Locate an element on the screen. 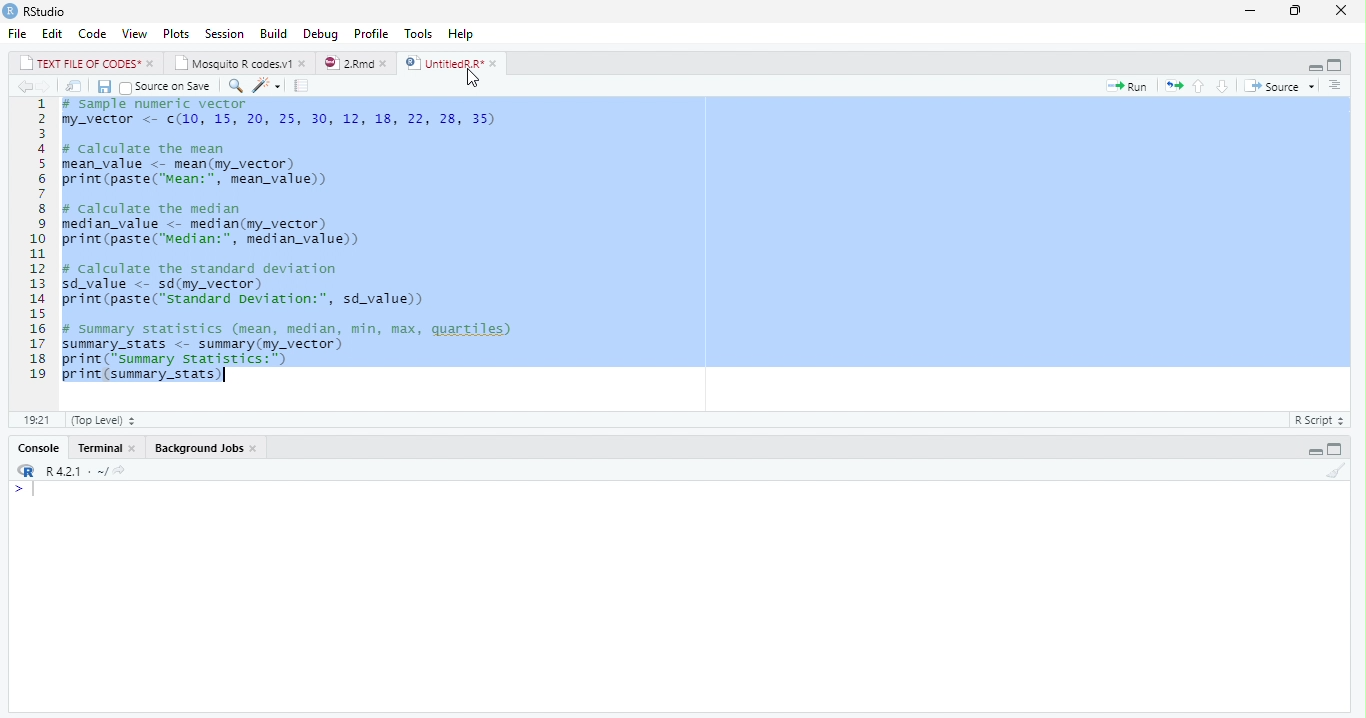 The height and width of the screenshot is (718, 1366). maximize is located at coordinates (1298, 12).